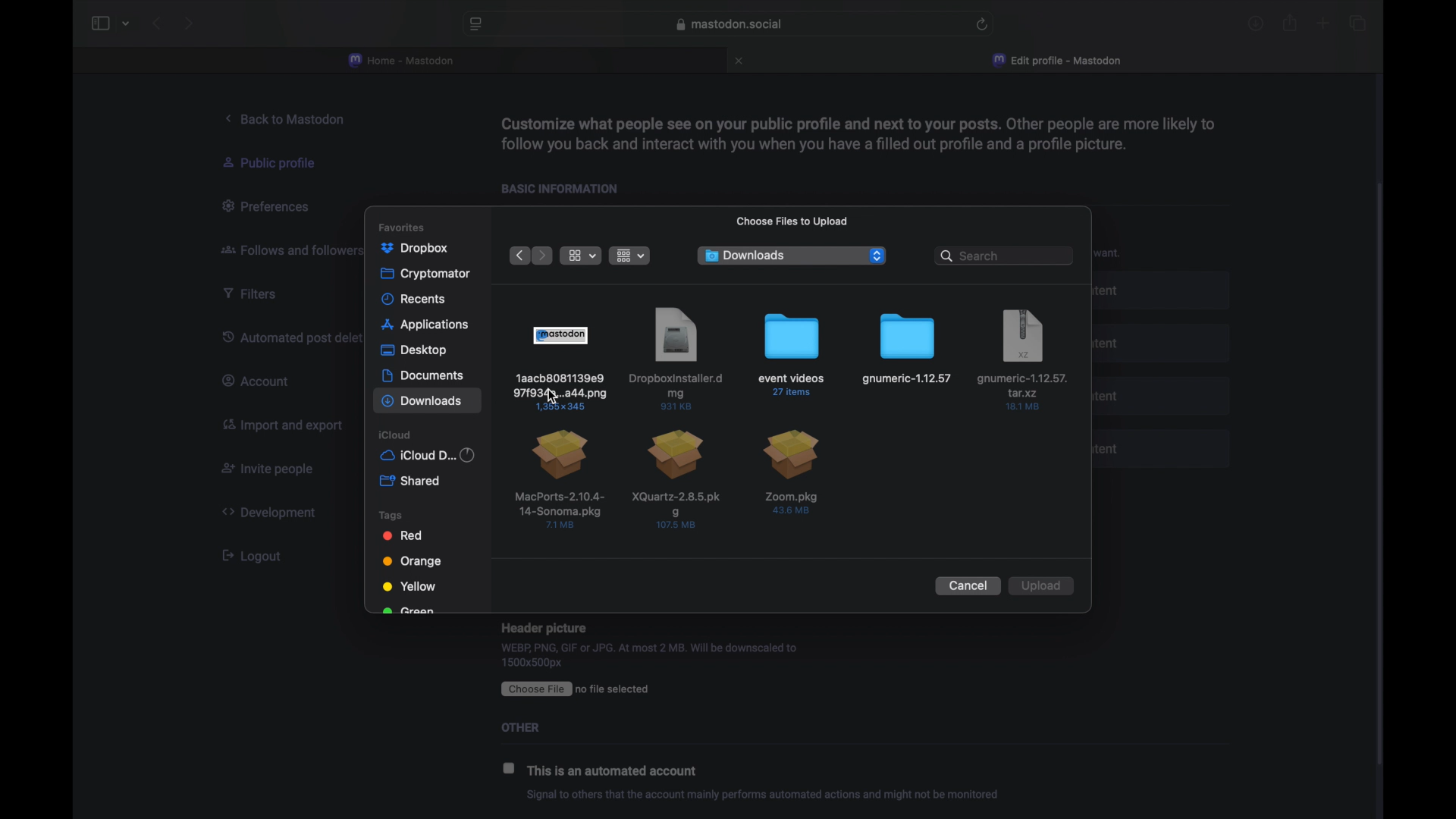  Describe the element at coordinates (792, 473) in the screenshot. I see `file ` at that location.